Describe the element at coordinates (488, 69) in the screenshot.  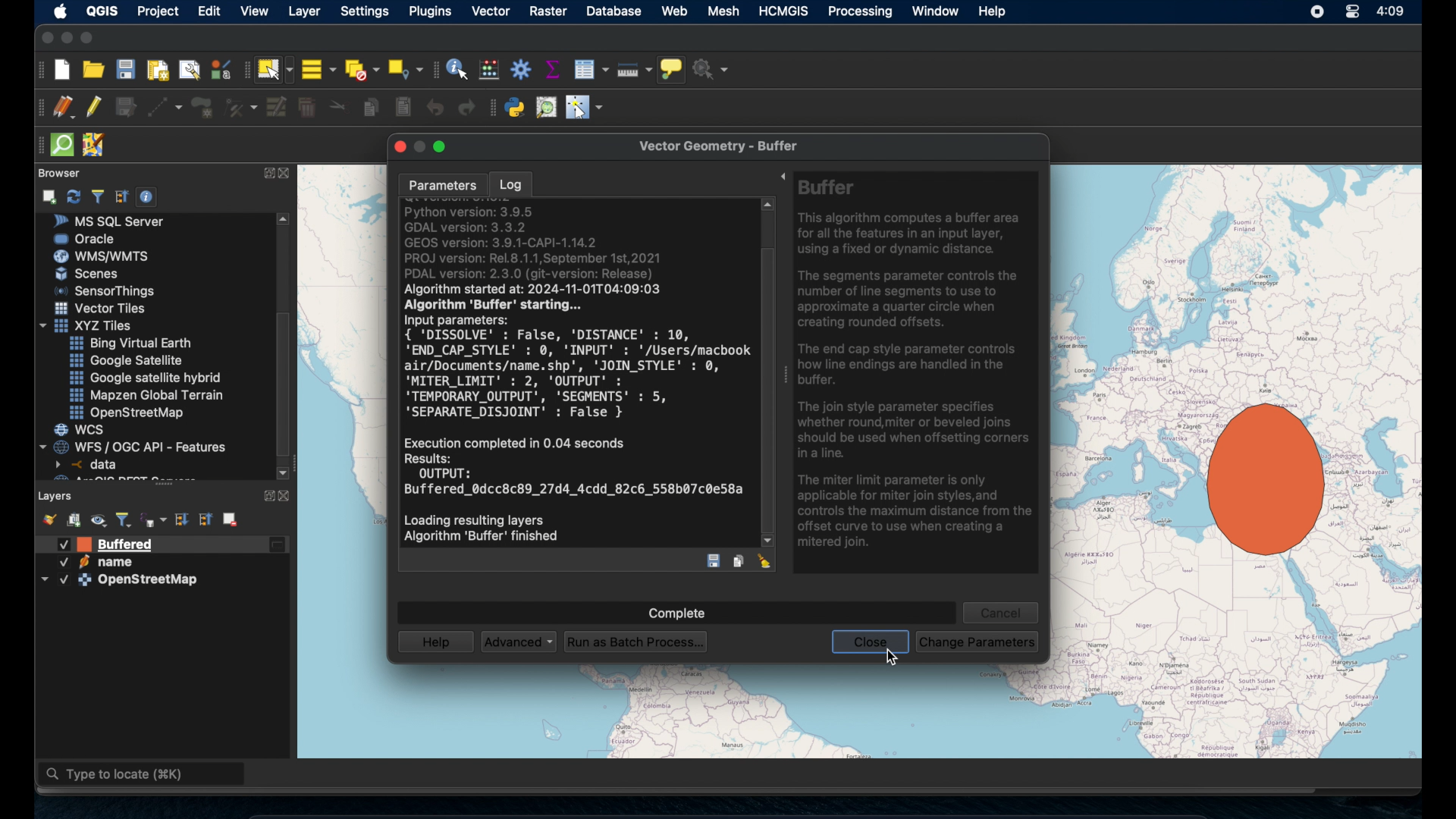
I see `open field calculator` at that location.